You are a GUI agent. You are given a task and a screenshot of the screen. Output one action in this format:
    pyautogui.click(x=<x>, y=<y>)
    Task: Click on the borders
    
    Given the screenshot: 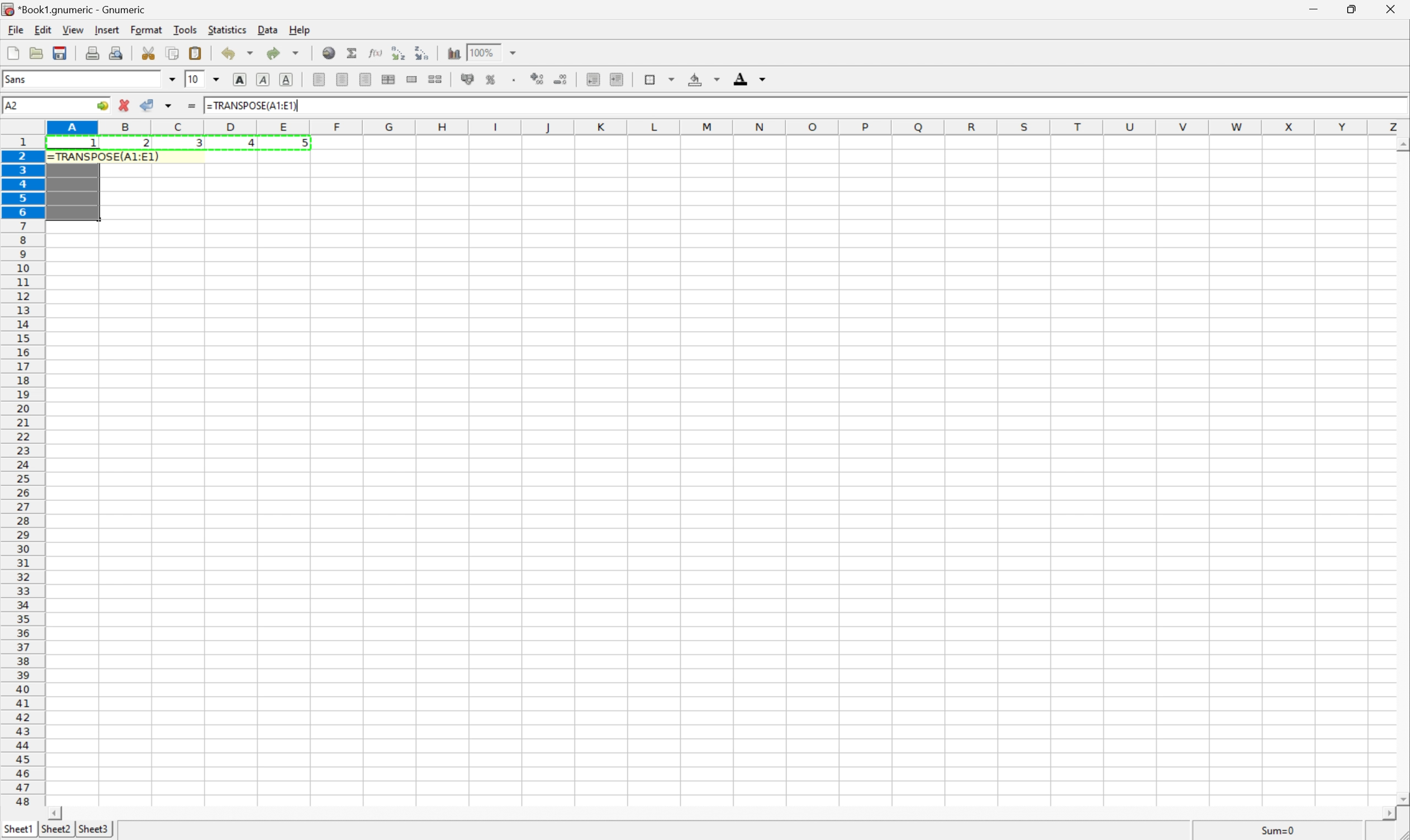 What is the action you would take?
    pyautogui.click(x=660, y=78)
    